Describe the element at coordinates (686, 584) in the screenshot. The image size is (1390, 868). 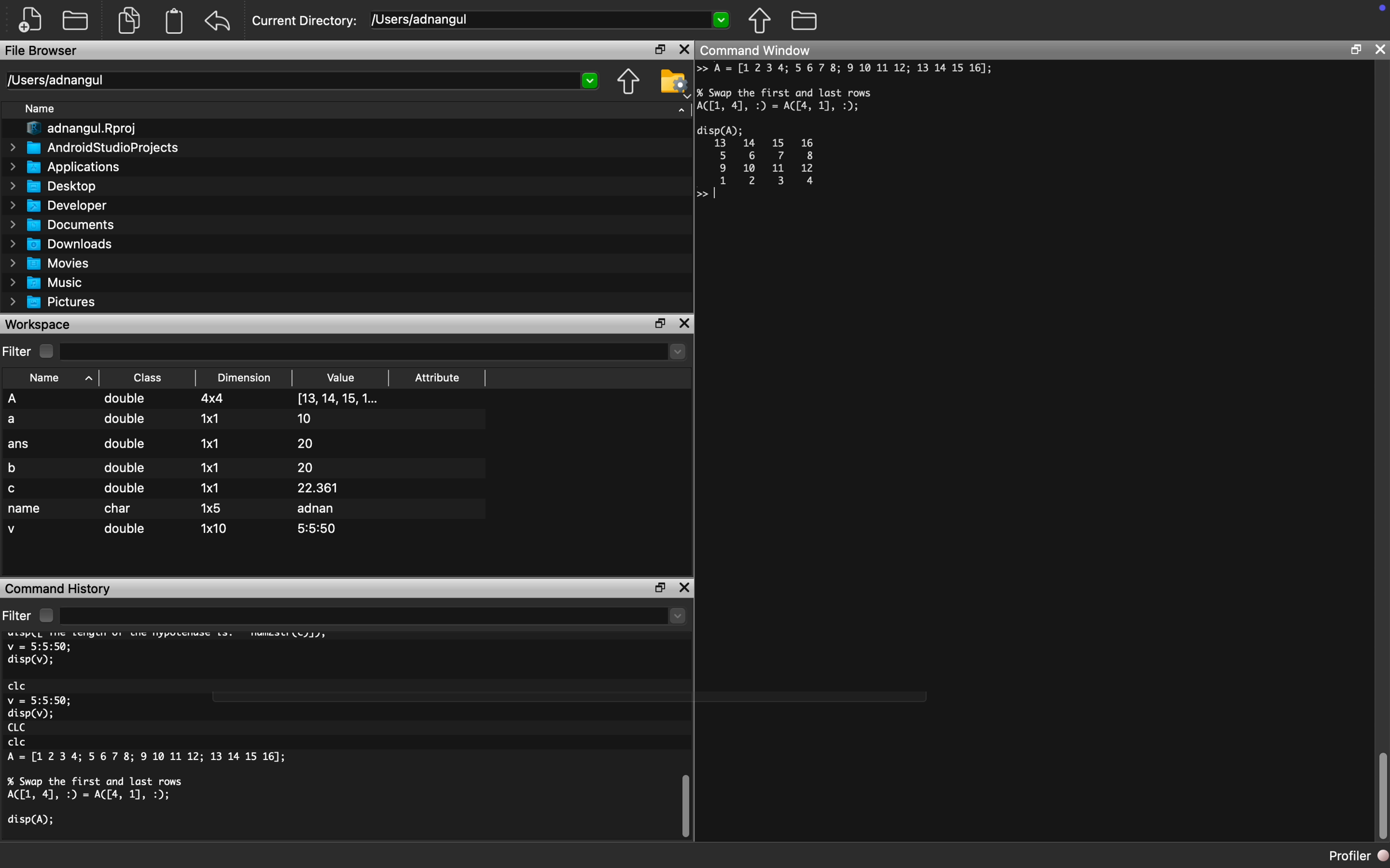
I see `Close` at that location.